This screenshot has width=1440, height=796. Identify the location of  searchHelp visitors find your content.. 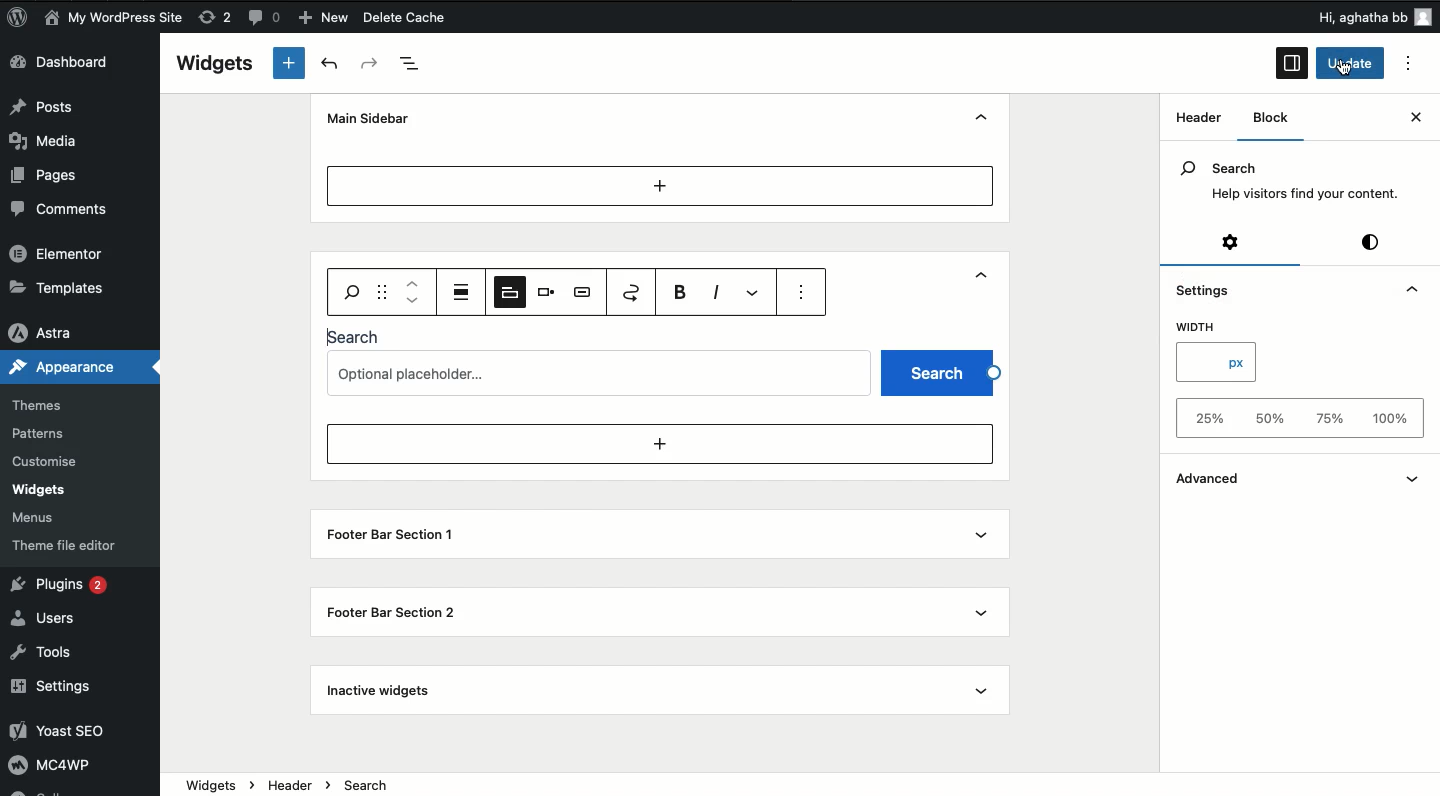
(1288, 181).